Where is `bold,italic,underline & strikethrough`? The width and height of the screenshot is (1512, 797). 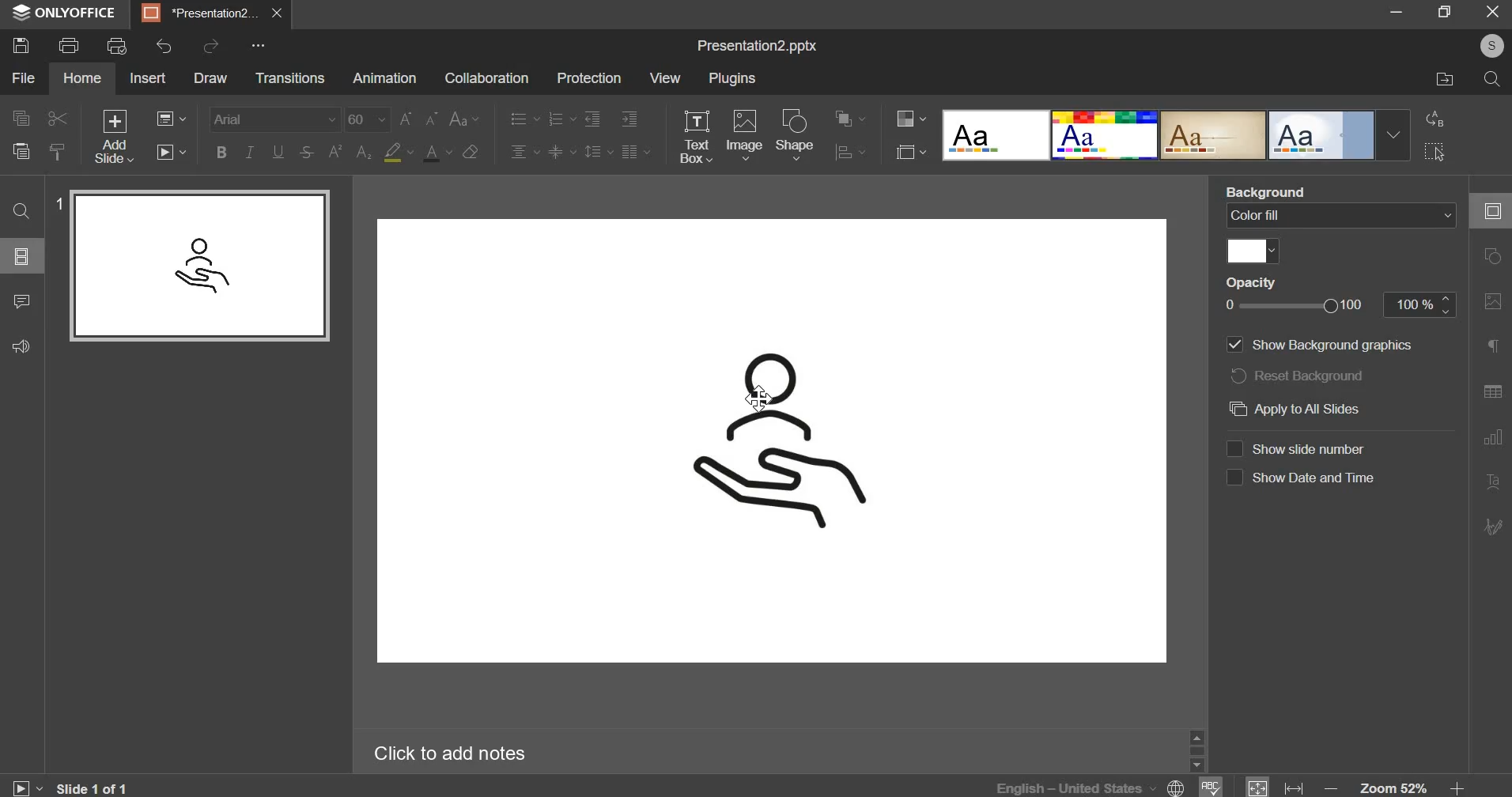 bold,italic,underline & strikethrough is located at coordinates (264, 152).